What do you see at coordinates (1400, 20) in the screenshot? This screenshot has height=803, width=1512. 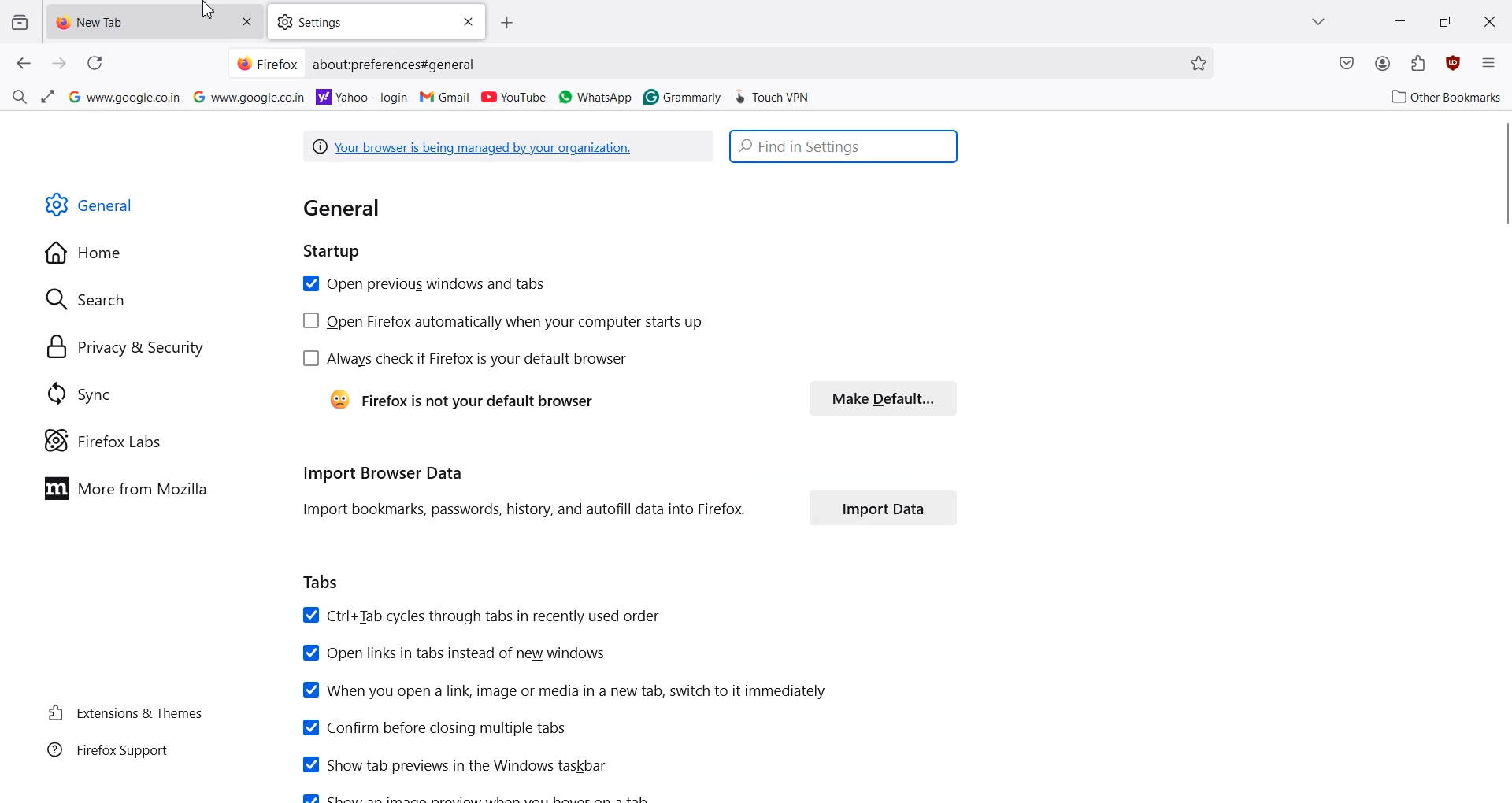 I see `Minimize` at bounding box center [1400, 20].